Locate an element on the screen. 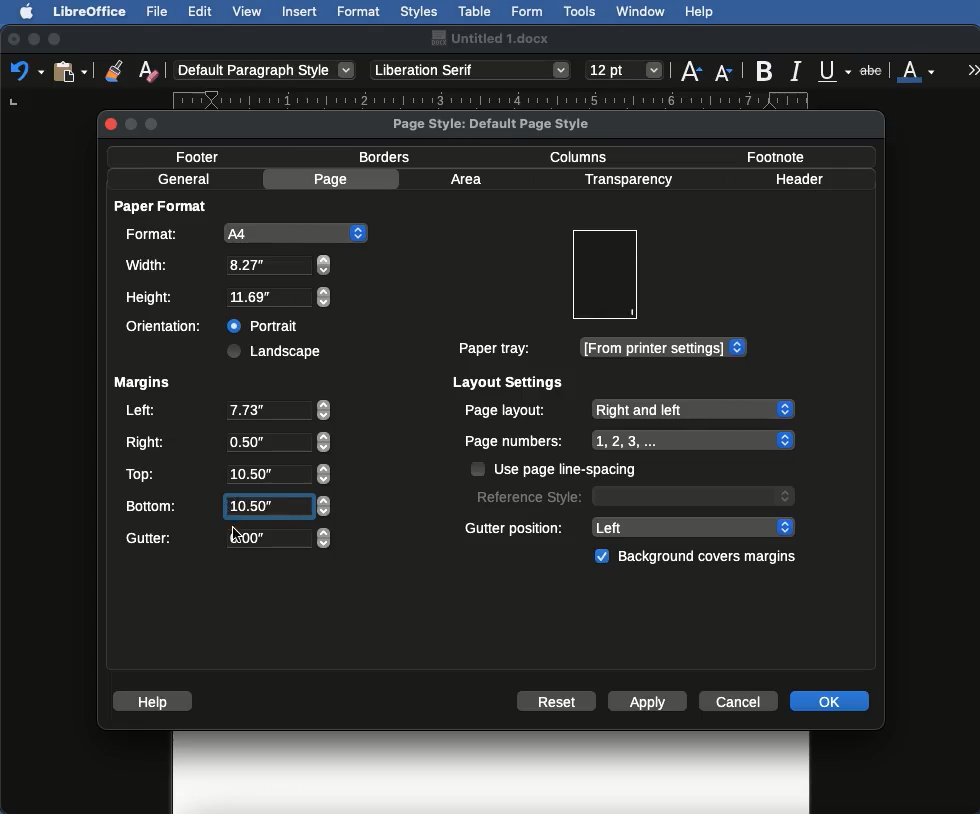 The height and width of the screenshot is (814, 980). Maximize is located at coordinates (56, 39).